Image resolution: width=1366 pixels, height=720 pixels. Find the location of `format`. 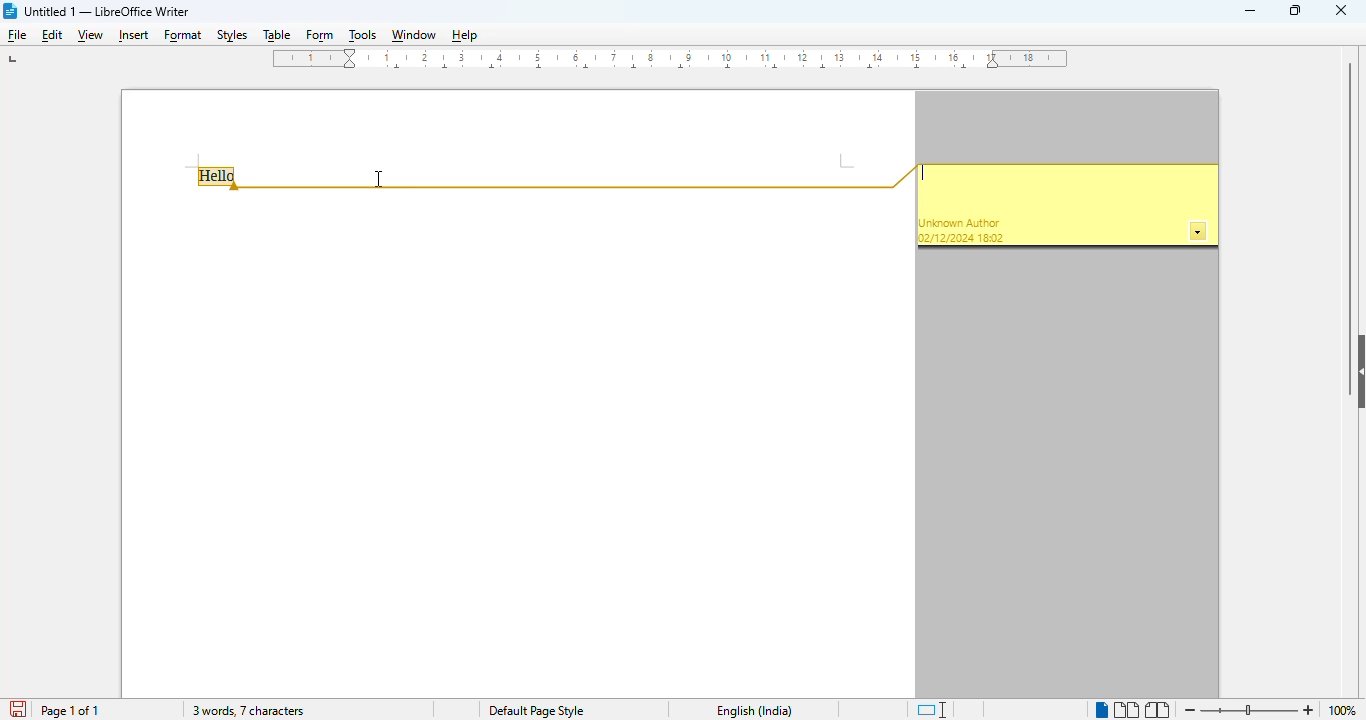

format is located at coordinates (184, 37).